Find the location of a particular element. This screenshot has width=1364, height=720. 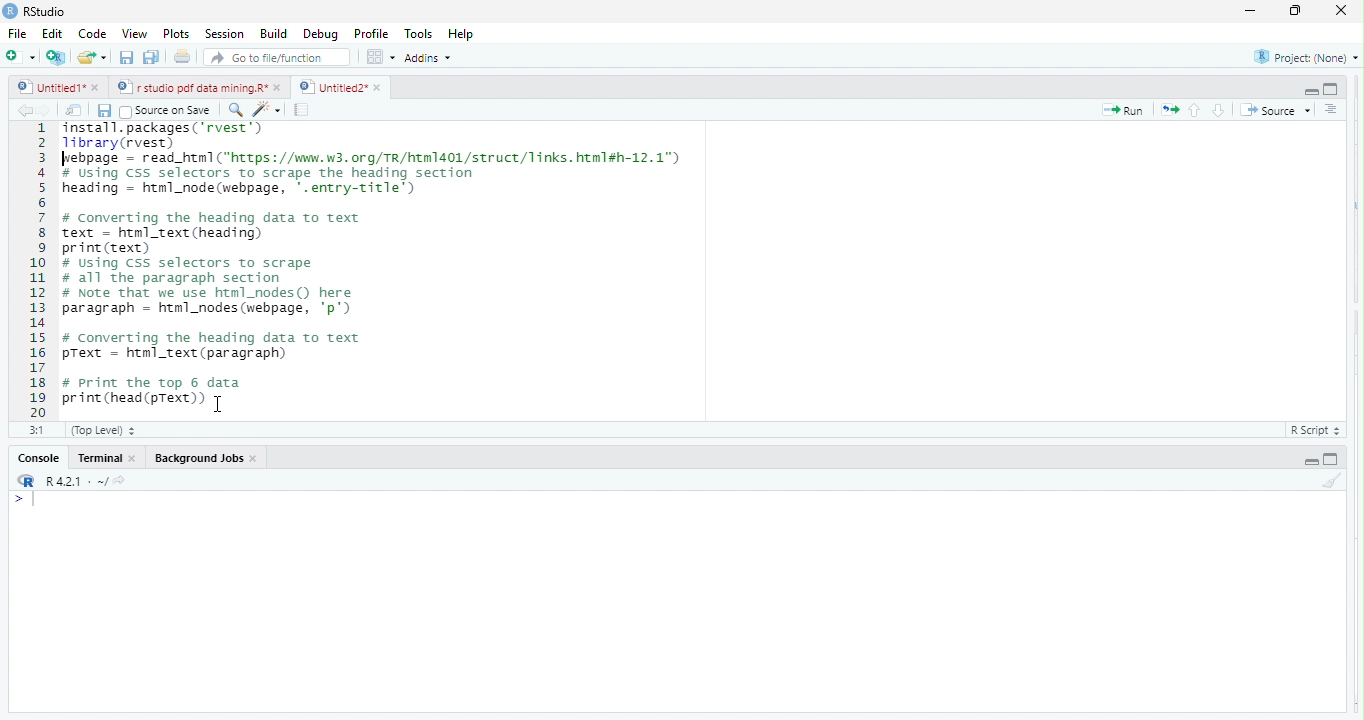

Plots is located at coordinates (175, 34).